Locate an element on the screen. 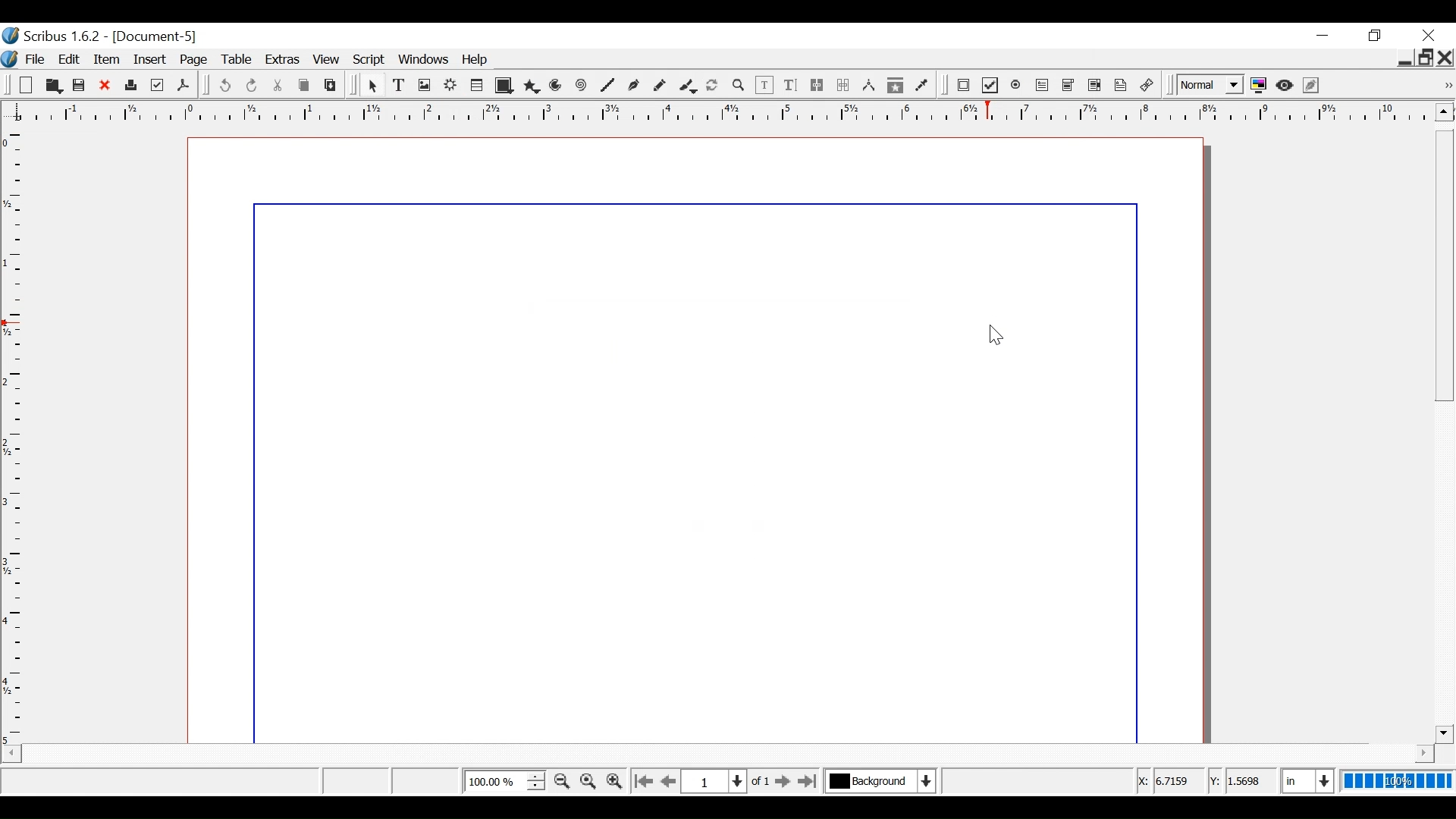  Cut is located at coordinates (278, 86).